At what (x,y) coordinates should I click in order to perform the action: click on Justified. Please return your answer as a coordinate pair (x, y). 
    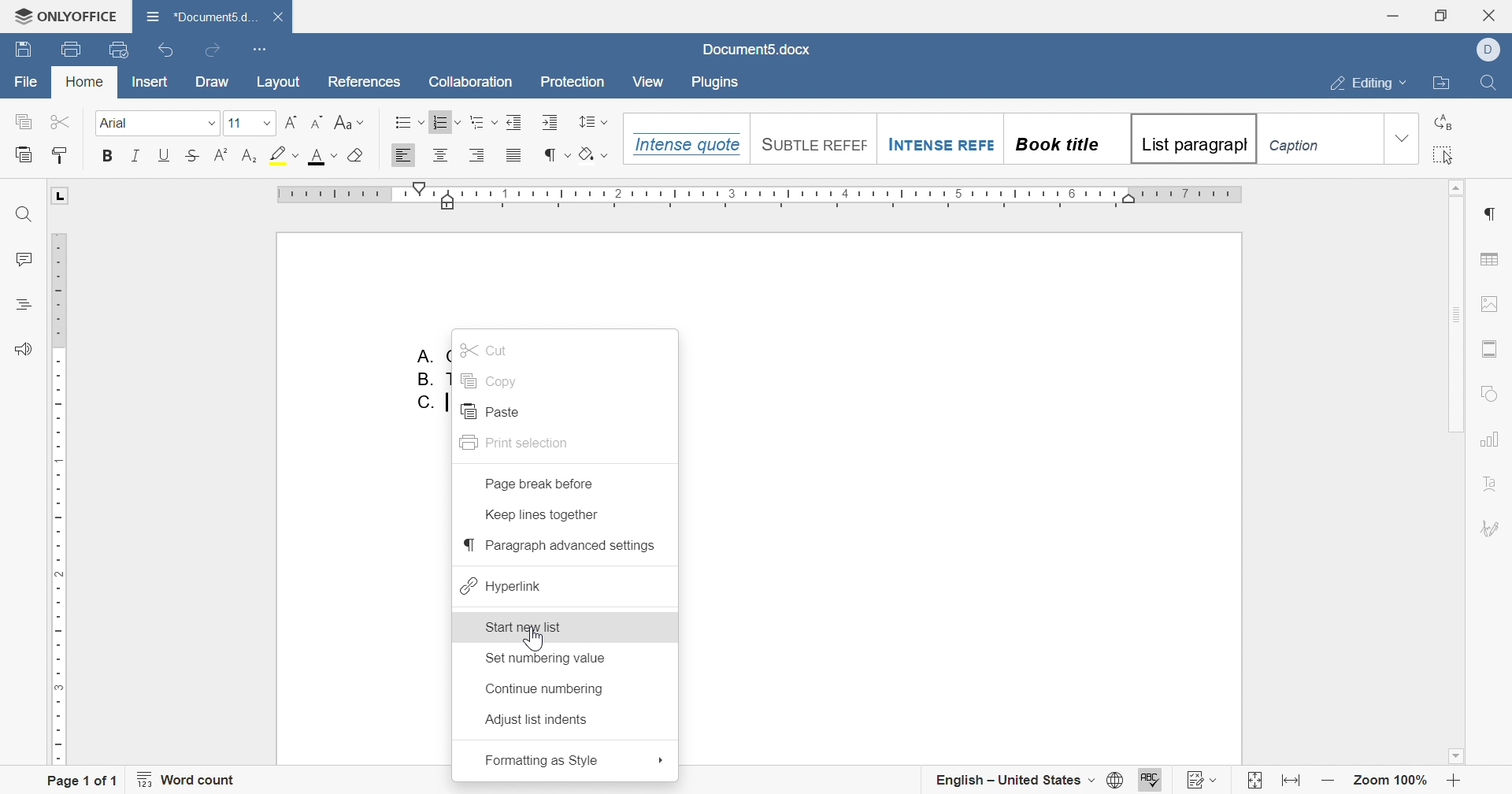
    Looking at the image, I should click on (515, 155).